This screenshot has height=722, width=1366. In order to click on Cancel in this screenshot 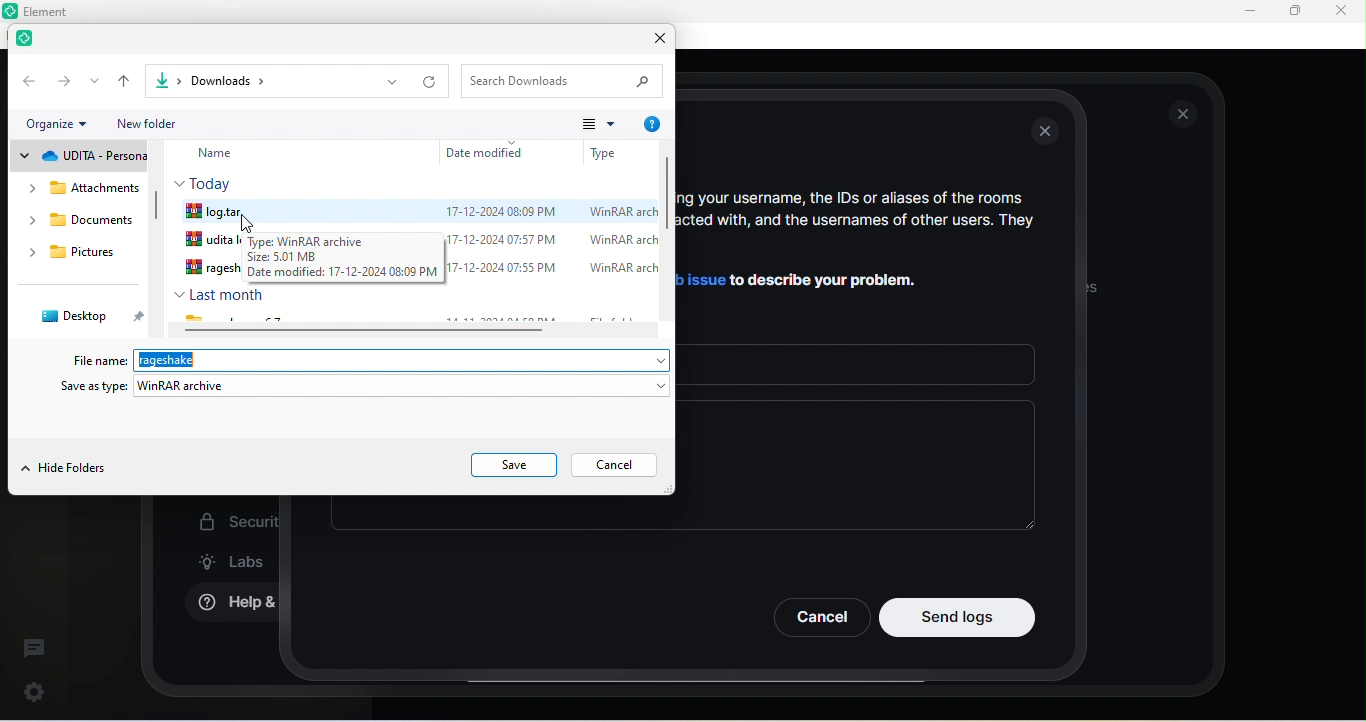, I will do `click(820, 617)`.